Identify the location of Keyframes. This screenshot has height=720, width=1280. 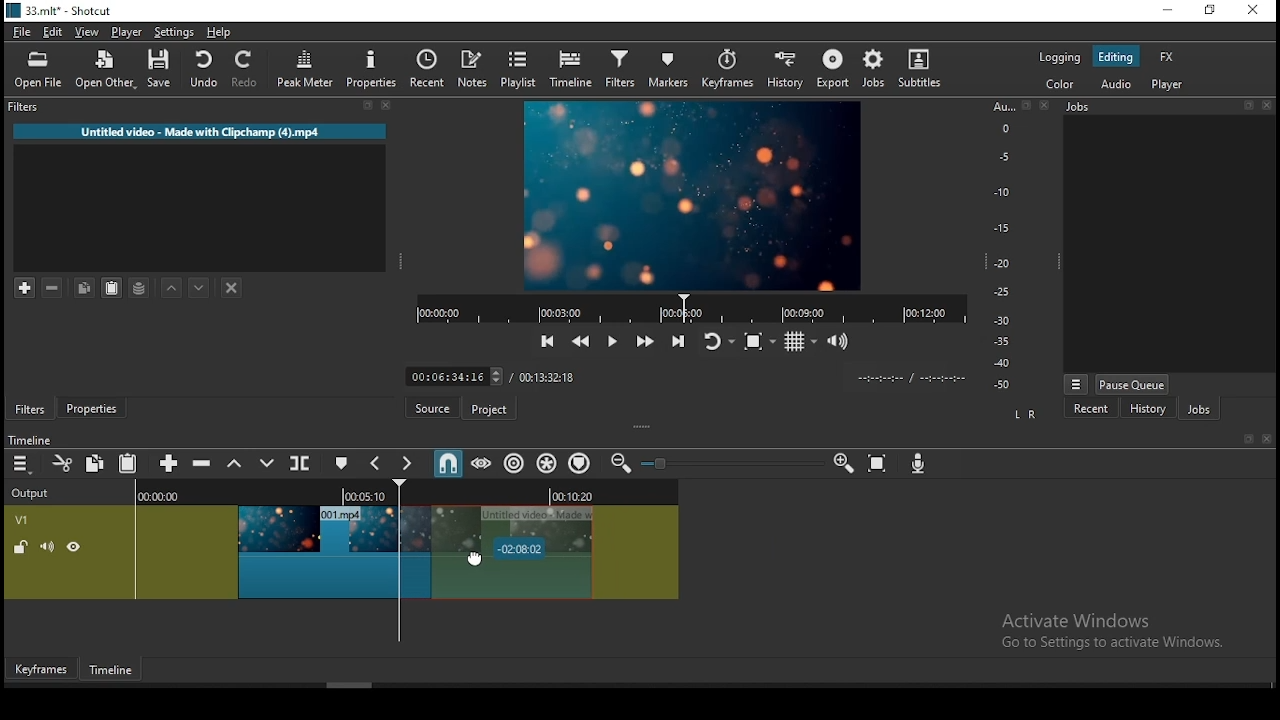
(39, 670).